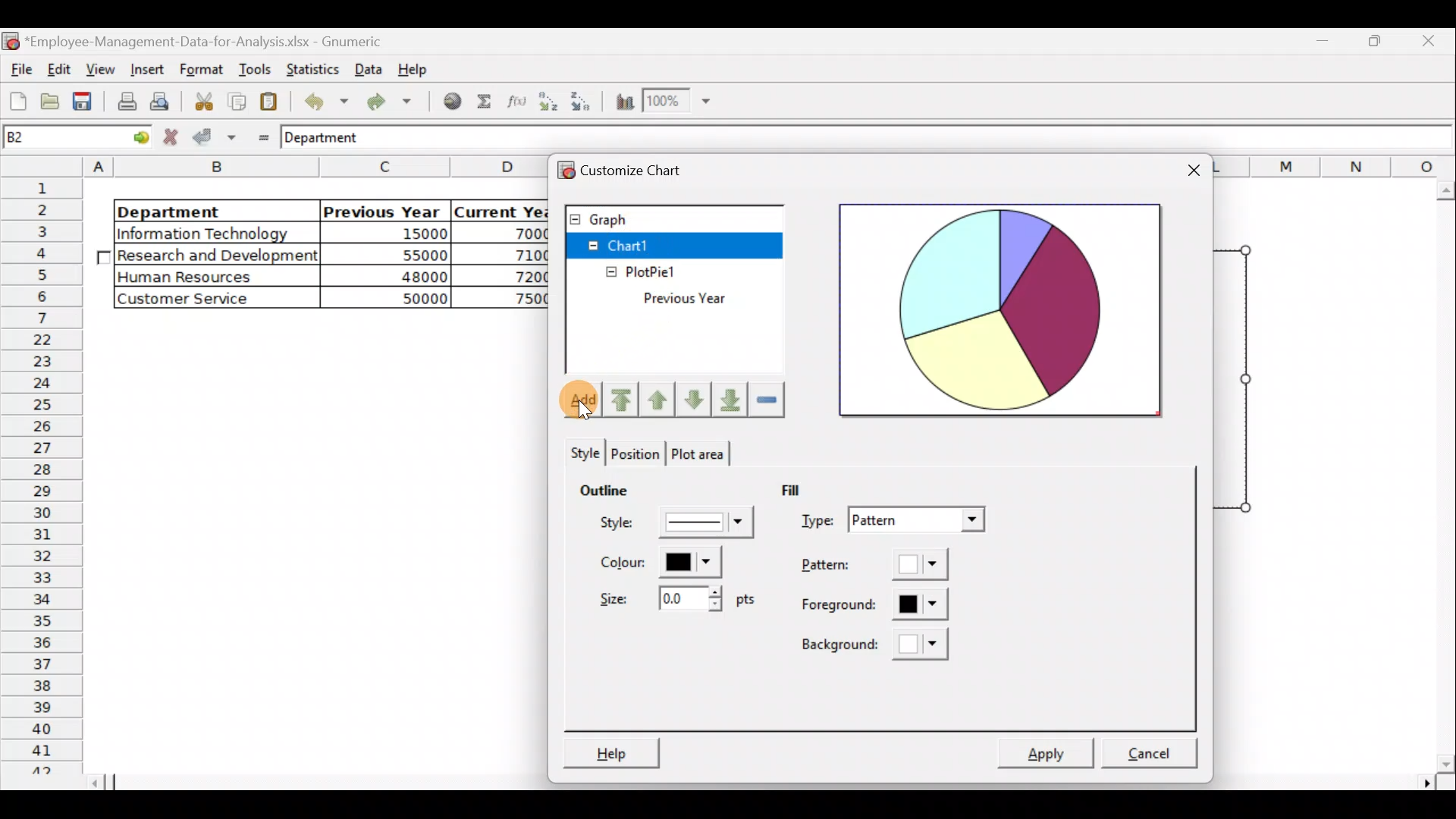 The width and height of the screenshot is (1456, 819). I want to click on Previous Year, so click(717, 299).